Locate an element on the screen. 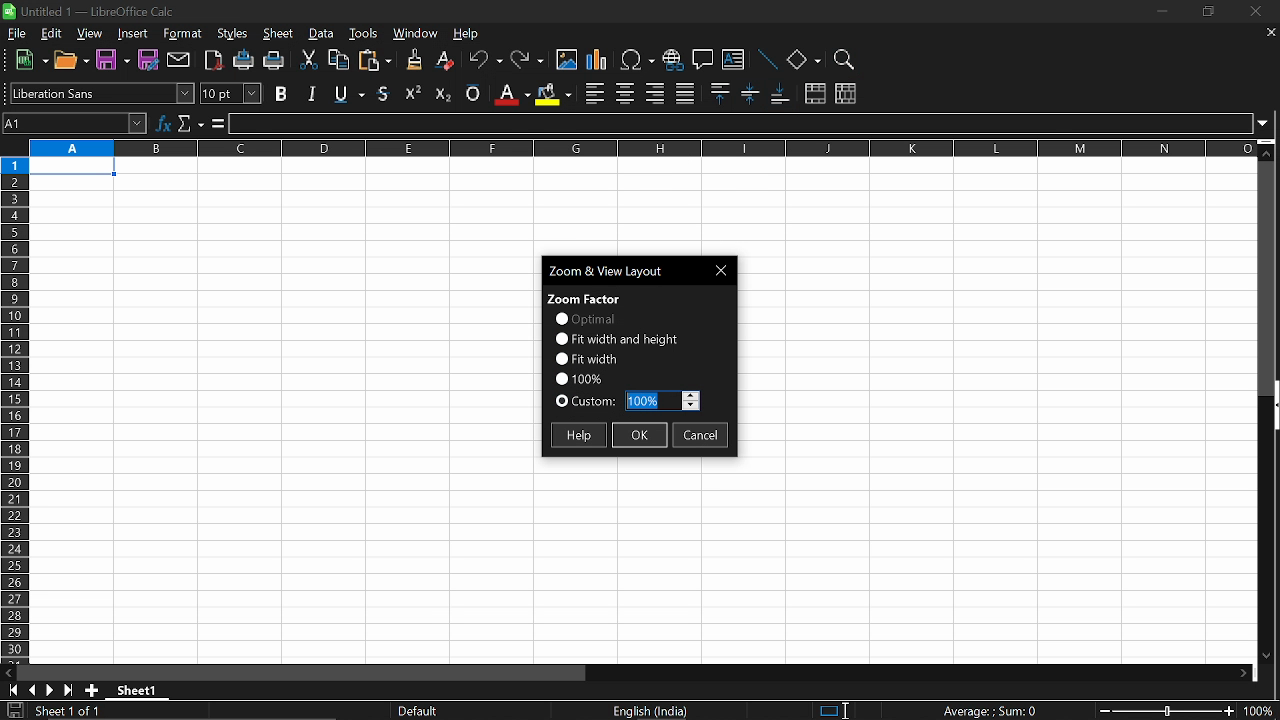  export as pdf is located at coordinates (215, 62).